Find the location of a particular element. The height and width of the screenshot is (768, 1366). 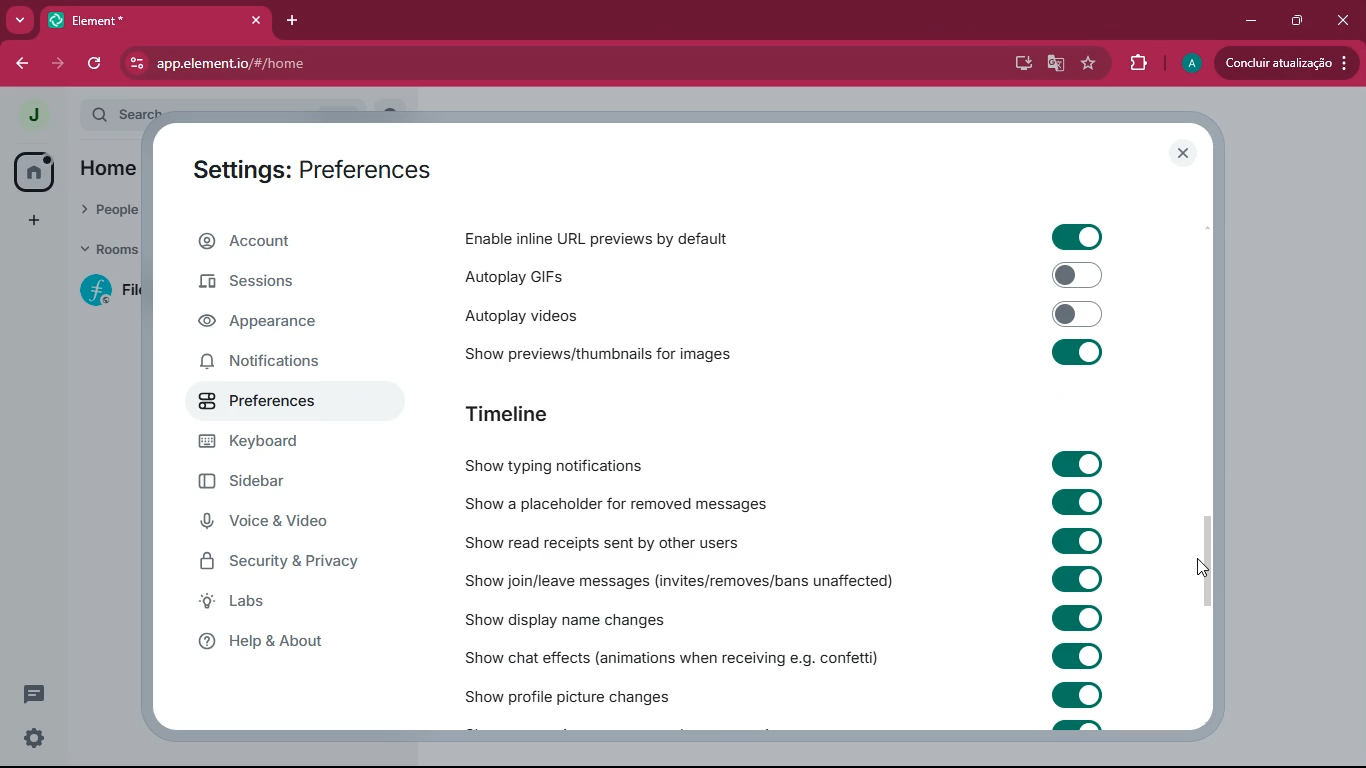

toggle on/off is located at coordinates (1077, 695).